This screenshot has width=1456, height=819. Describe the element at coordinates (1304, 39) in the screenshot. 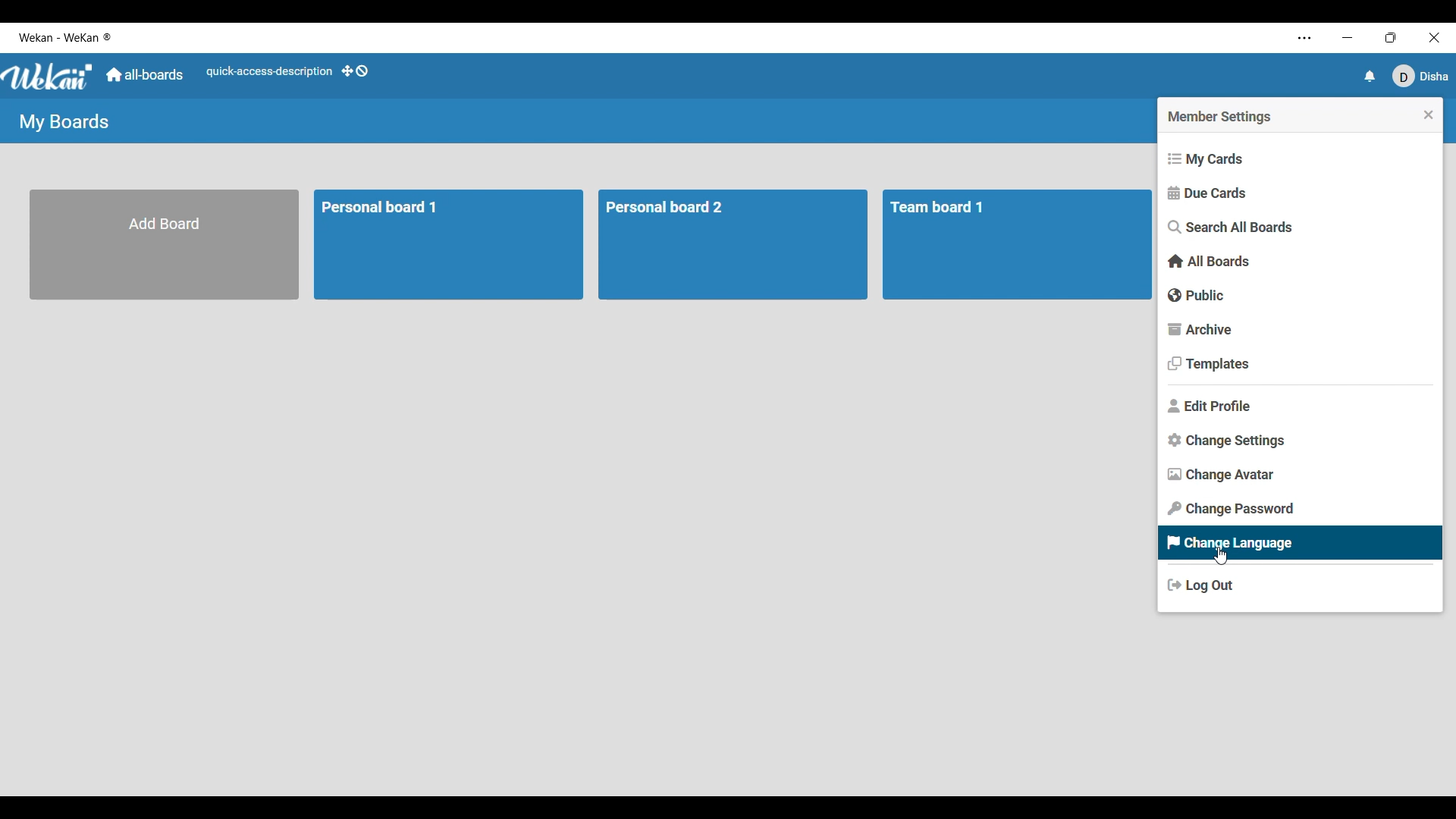

I see `More settings` at that location.